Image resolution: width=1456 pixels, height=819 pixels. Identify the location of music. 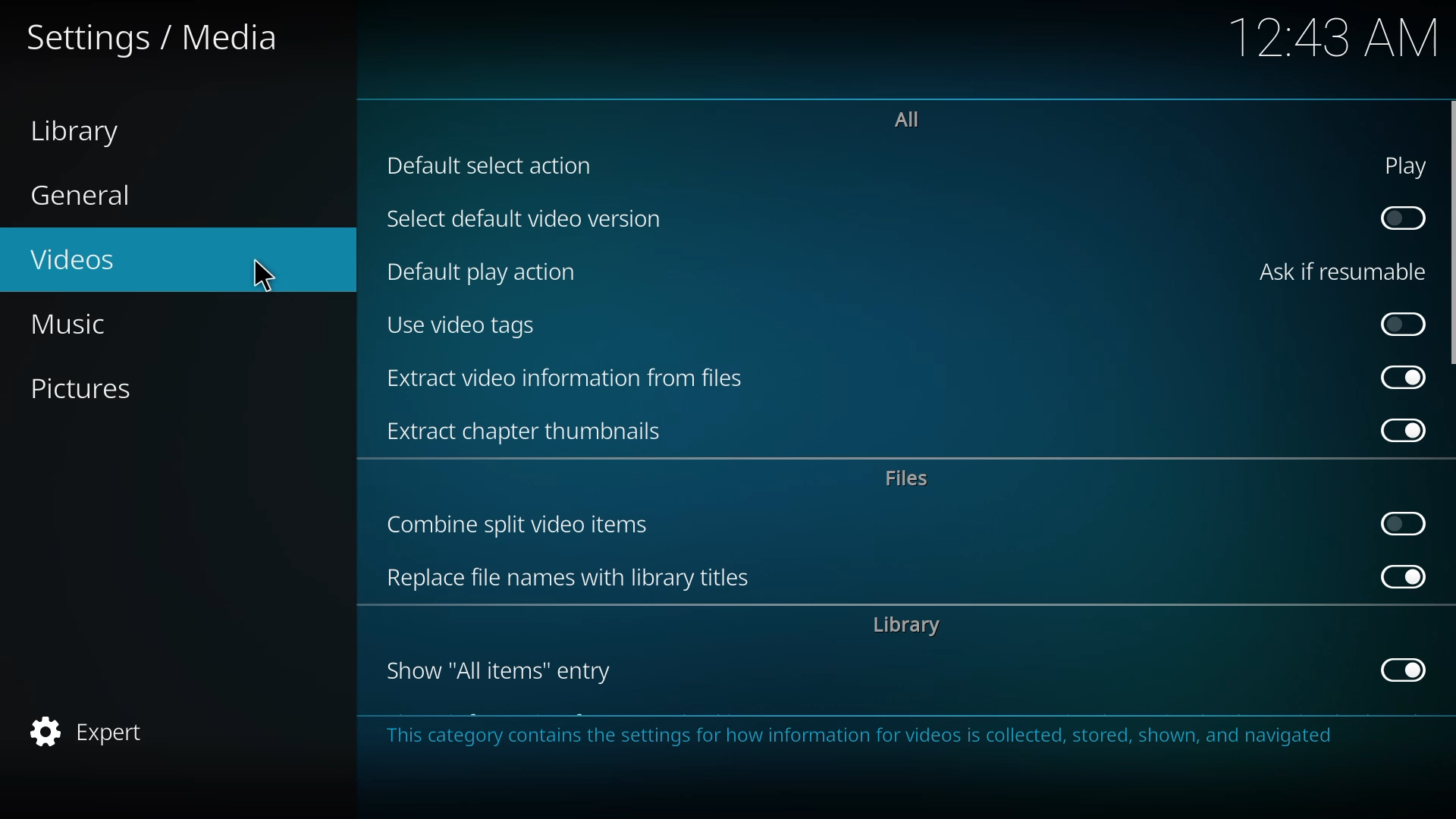
(80, 326).